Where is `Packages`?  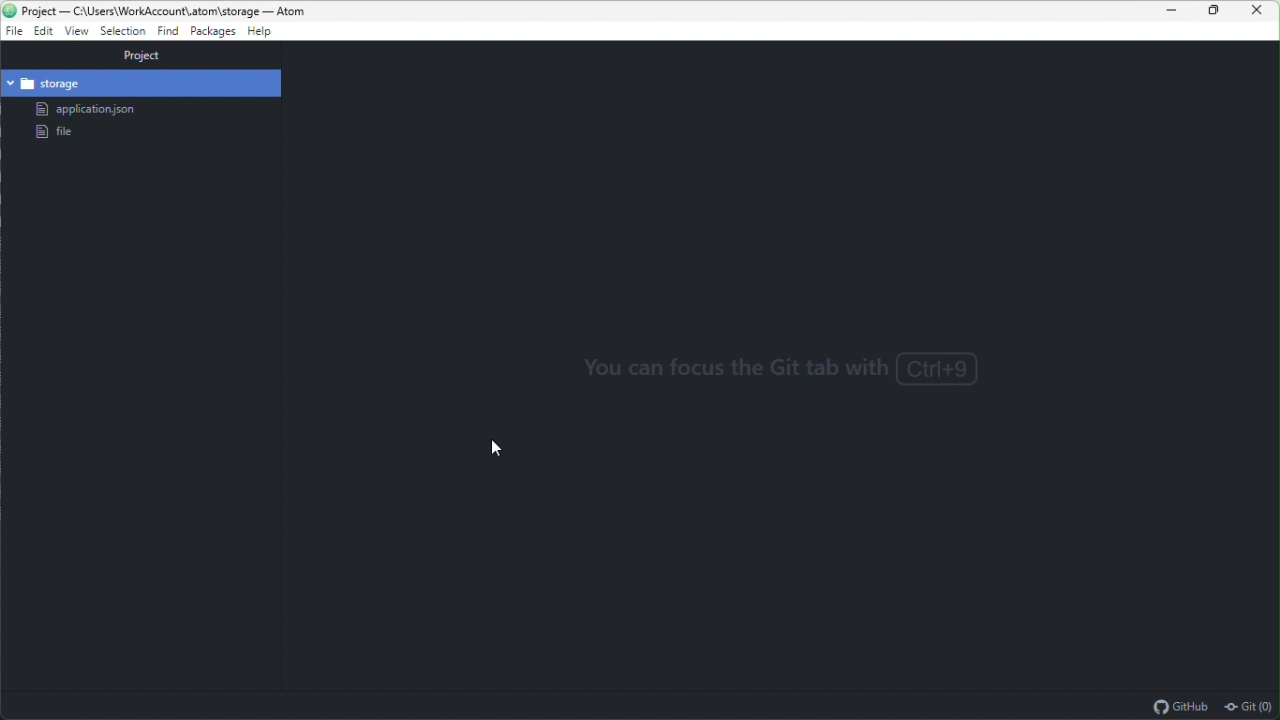
Packages is located at coordinates (215, 33).